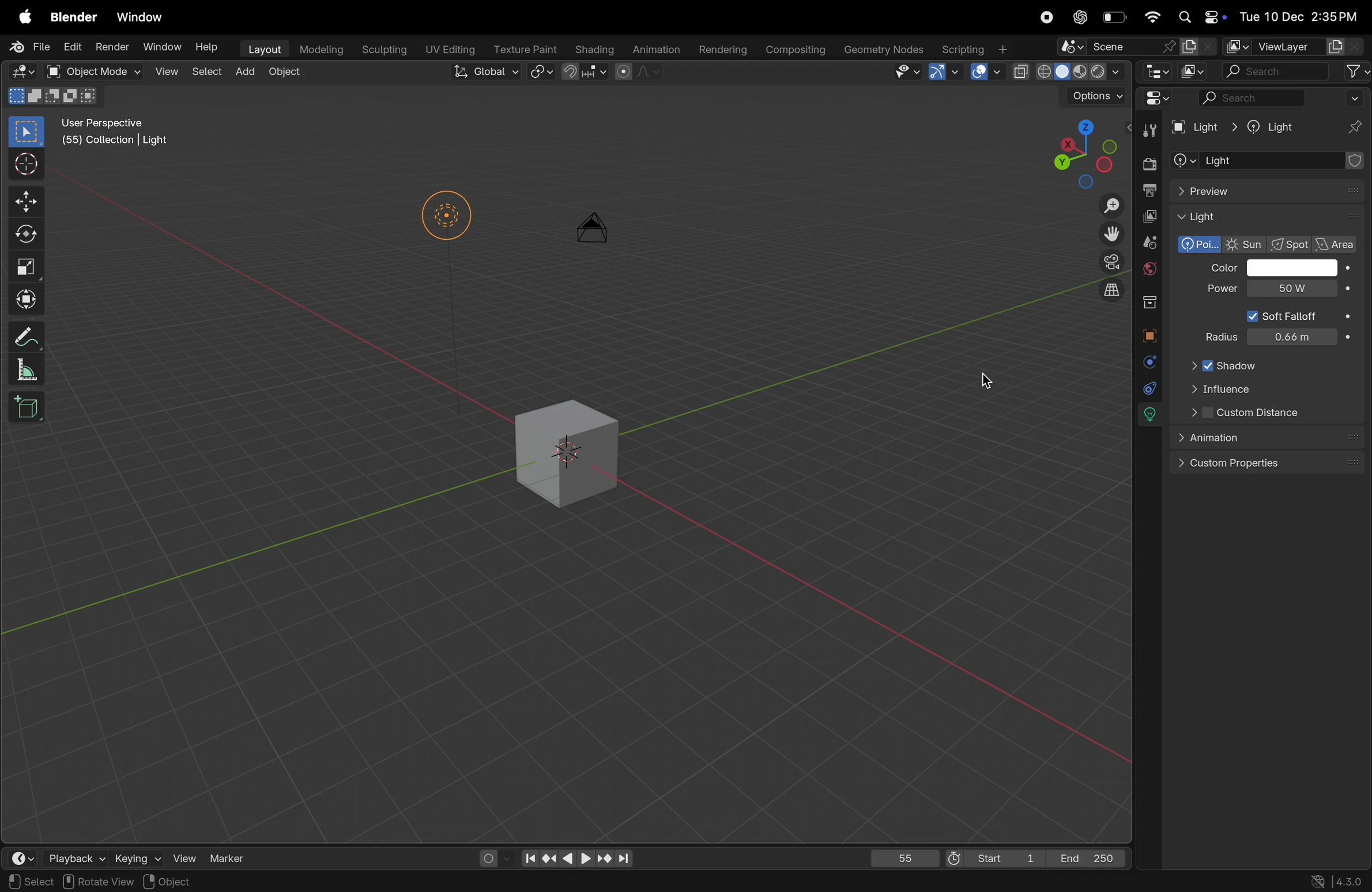  What do you see at coordinates (976, 50) in the screenshot?
I see `scripting` at bounding box center [976, 50].